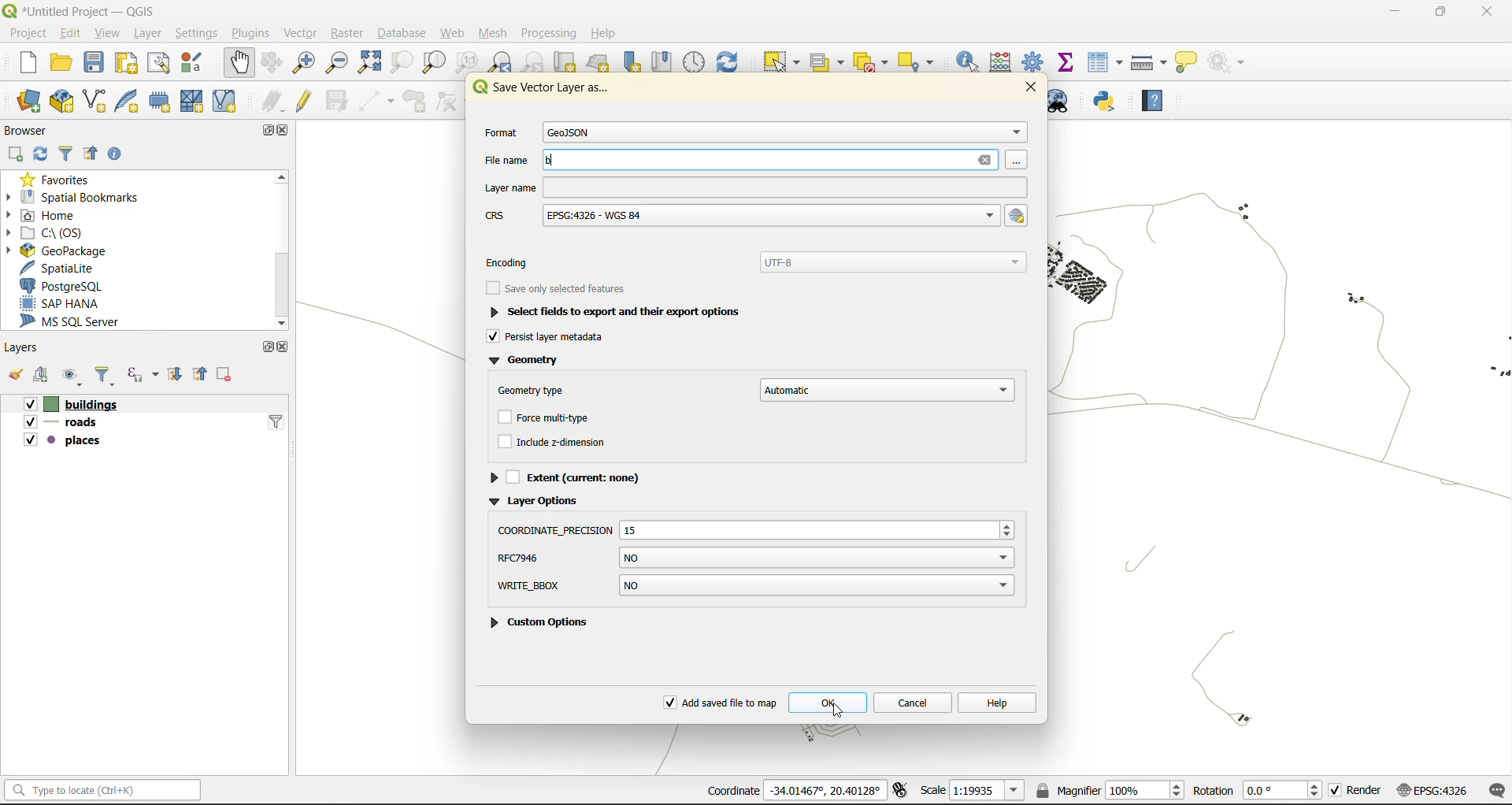 The height and width of the screenshot is (805, 1512). Describe the element at coordinates (600, 65) in the screenshot. I see `new 3d map view` at that location.